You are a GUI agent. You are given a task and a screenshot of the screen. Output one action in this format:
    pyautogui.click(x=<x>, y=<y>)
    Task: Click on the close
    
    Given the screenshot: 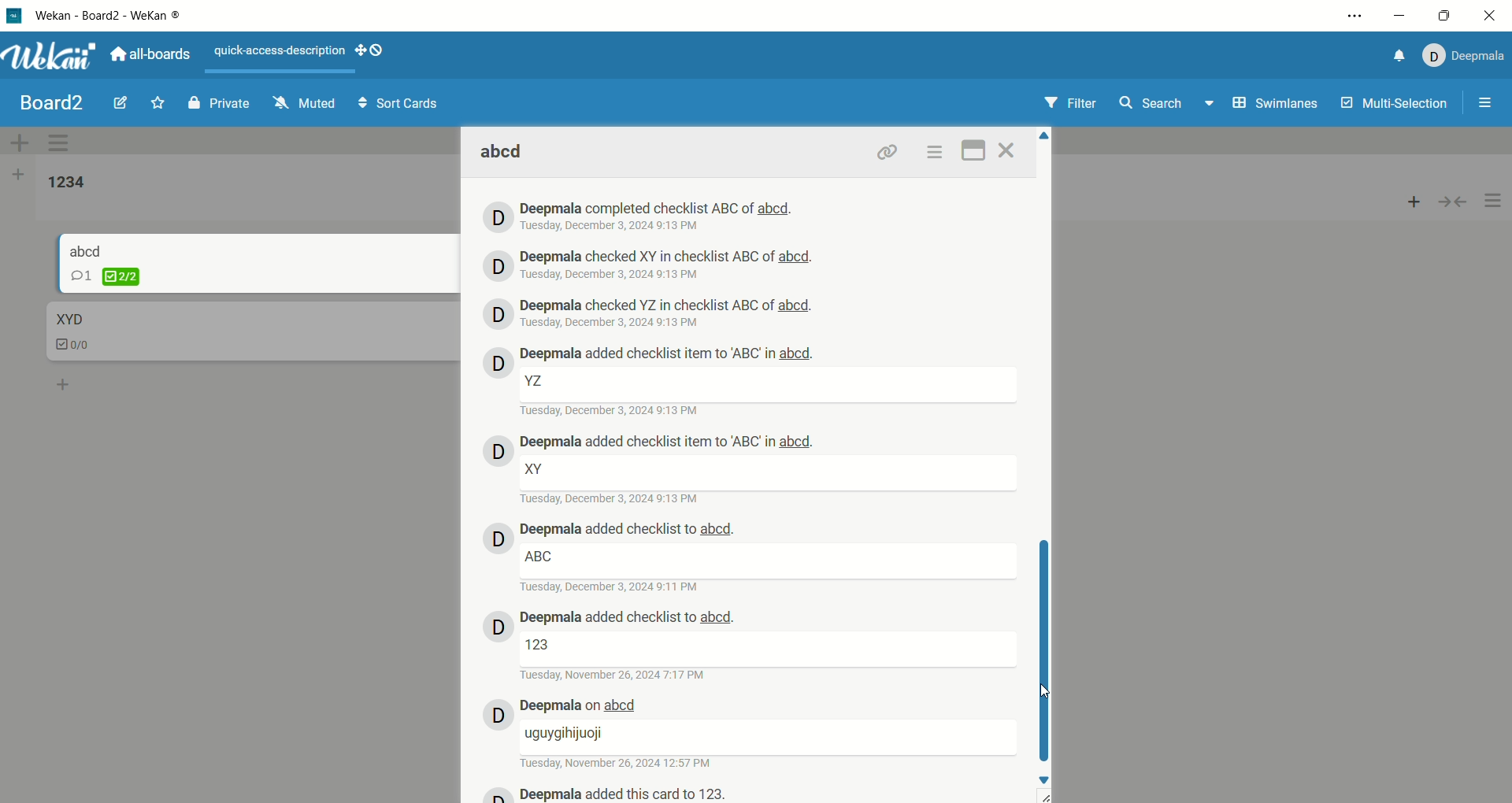 What is the action you would take?
    pyautogui.click(x=1488, y=18)
    